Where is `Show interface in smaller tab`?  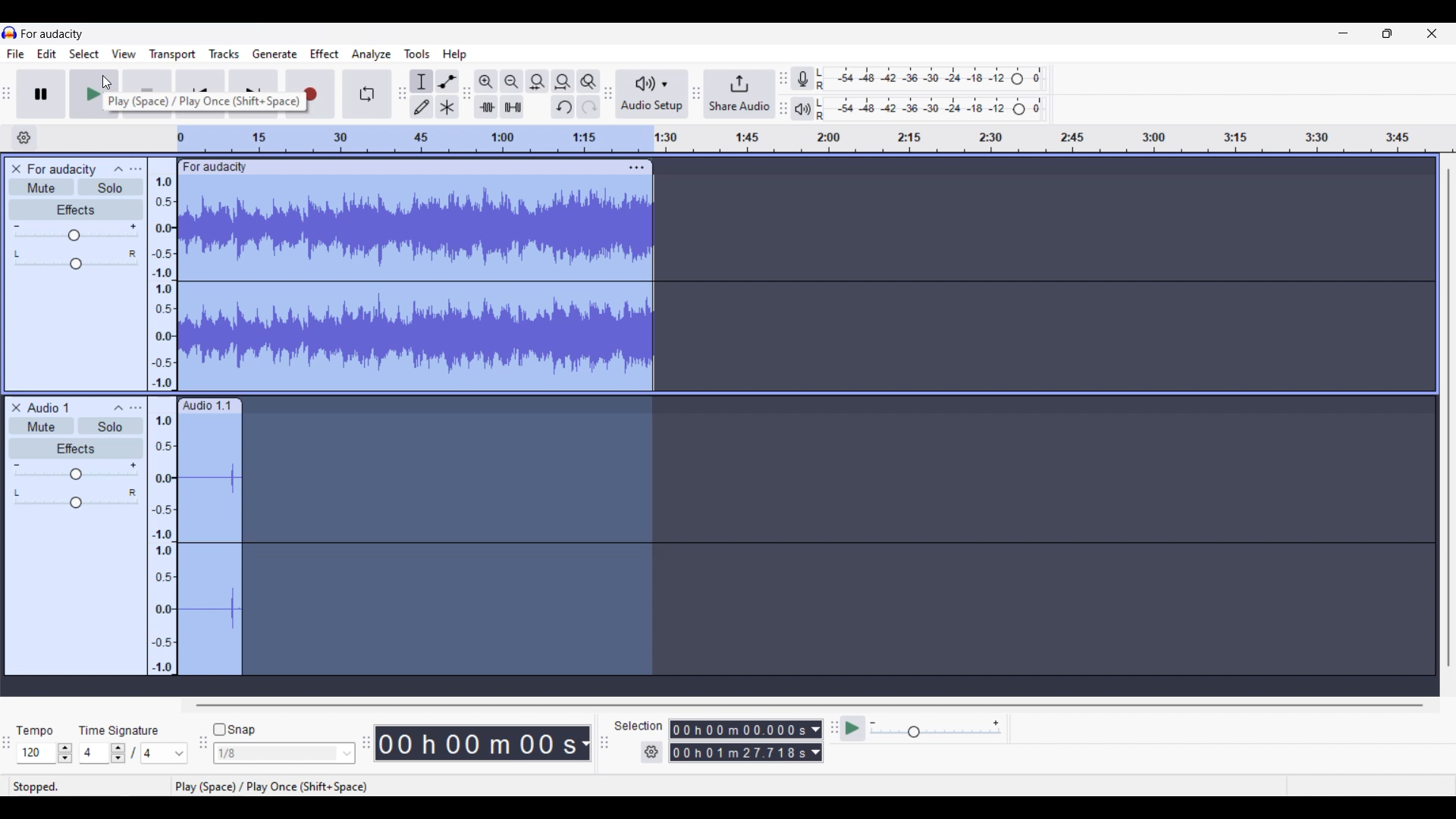
Show interface in smaller tab is located at coordinates (1387, 33).